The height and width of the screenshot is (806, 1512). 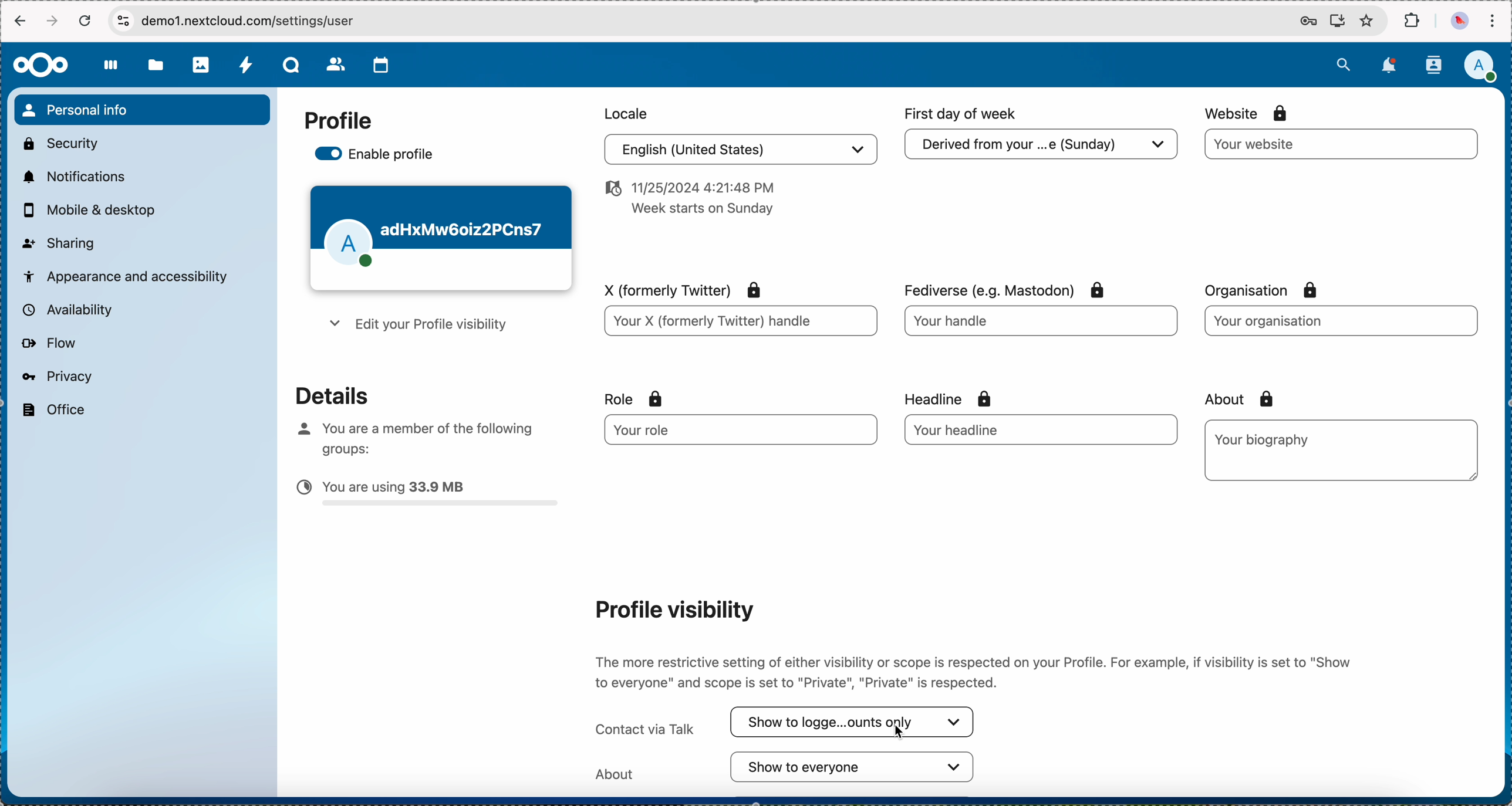 What do you see at coordinates (156, 67) in the screenshot?
I see `files` at bounding box center [156, 67].